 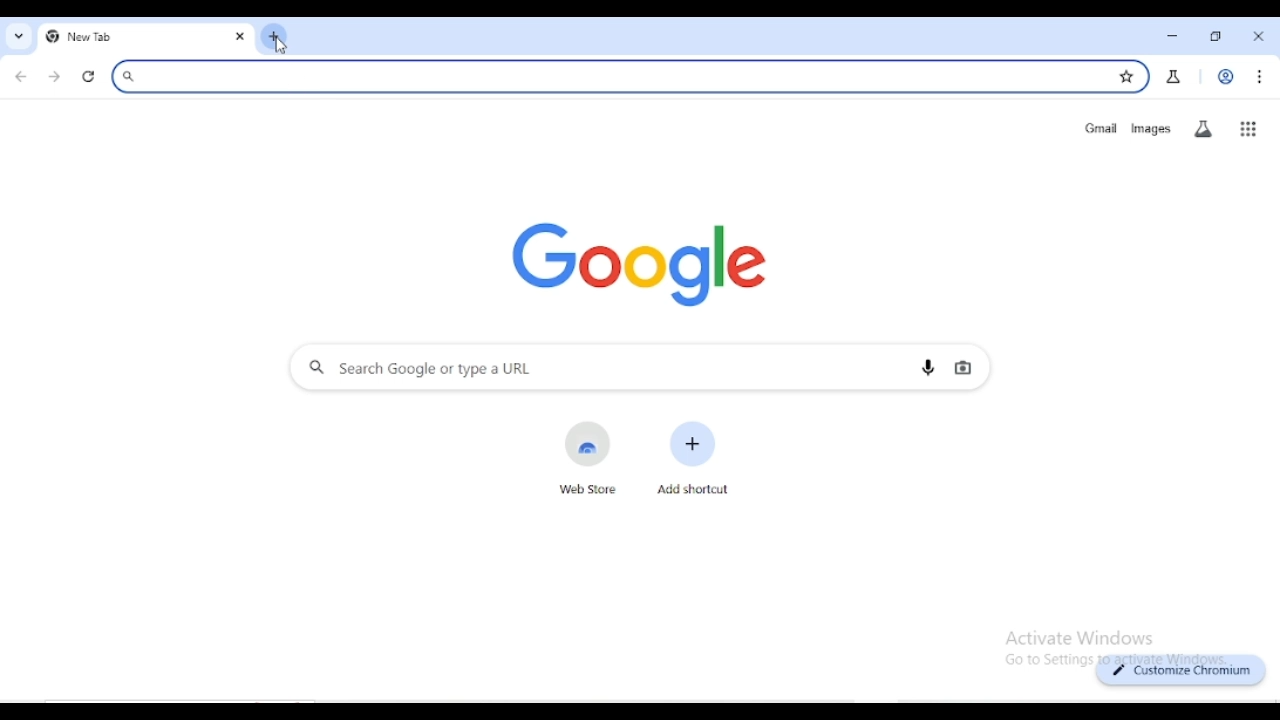 I want to click on close, so click(x=1261, y=36).